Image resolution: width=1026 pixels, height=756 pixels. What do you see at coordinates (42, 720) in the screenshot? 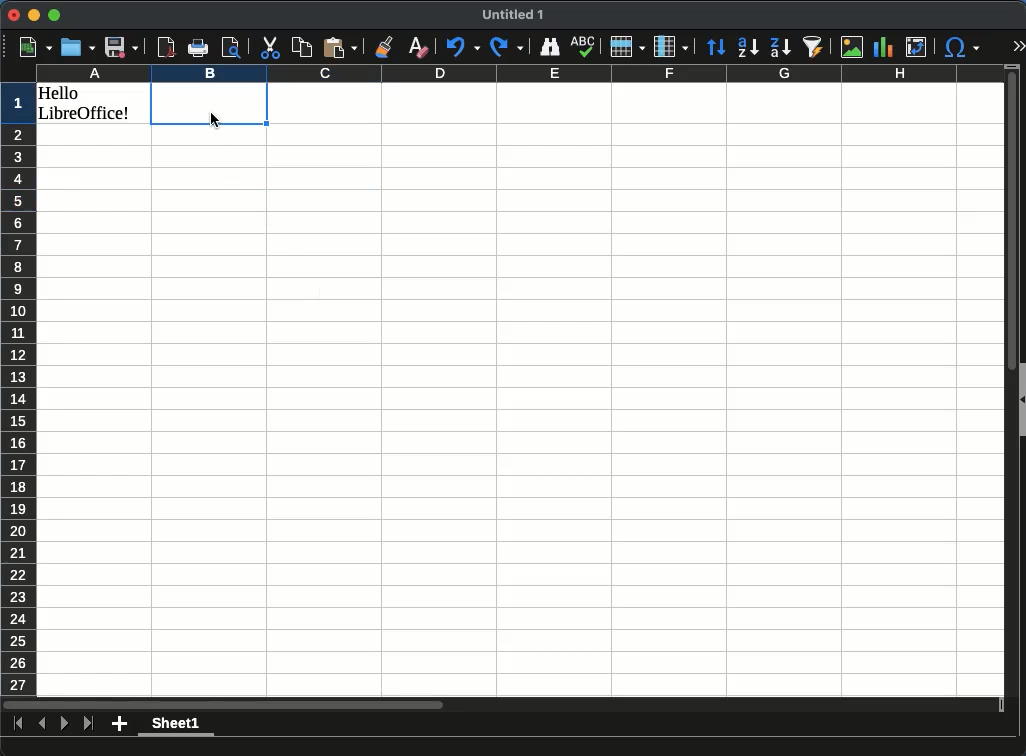
I see `previous sheet` at bounding box center [42, 720].